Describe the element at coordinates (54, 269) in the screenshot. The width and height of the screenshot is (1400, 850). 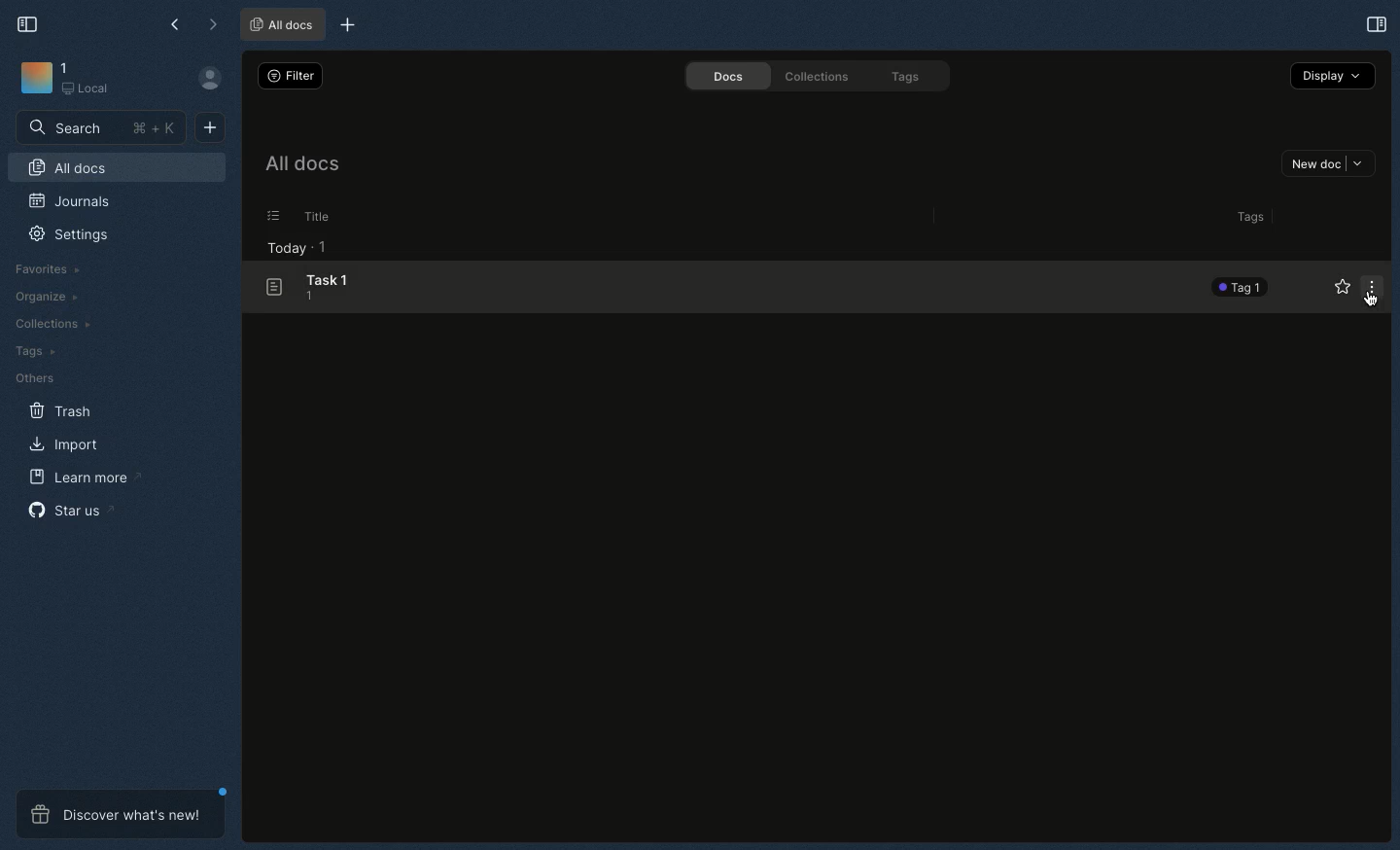
I see `Favorites` at that location.